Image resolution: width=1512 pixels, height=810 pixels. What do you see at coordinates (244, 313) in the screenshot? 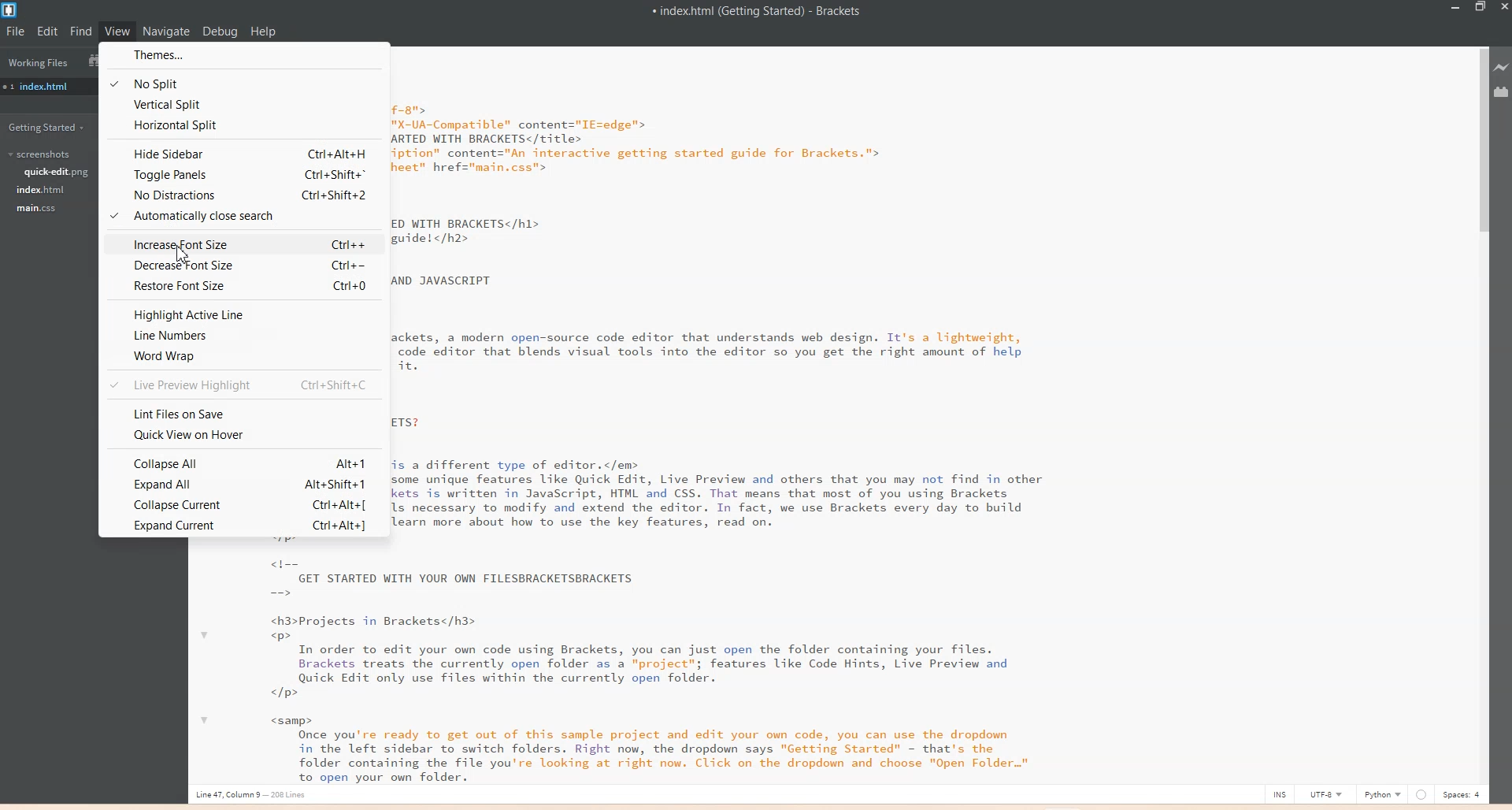
I see `Highway Active Line` at bounding box center [244, 313].